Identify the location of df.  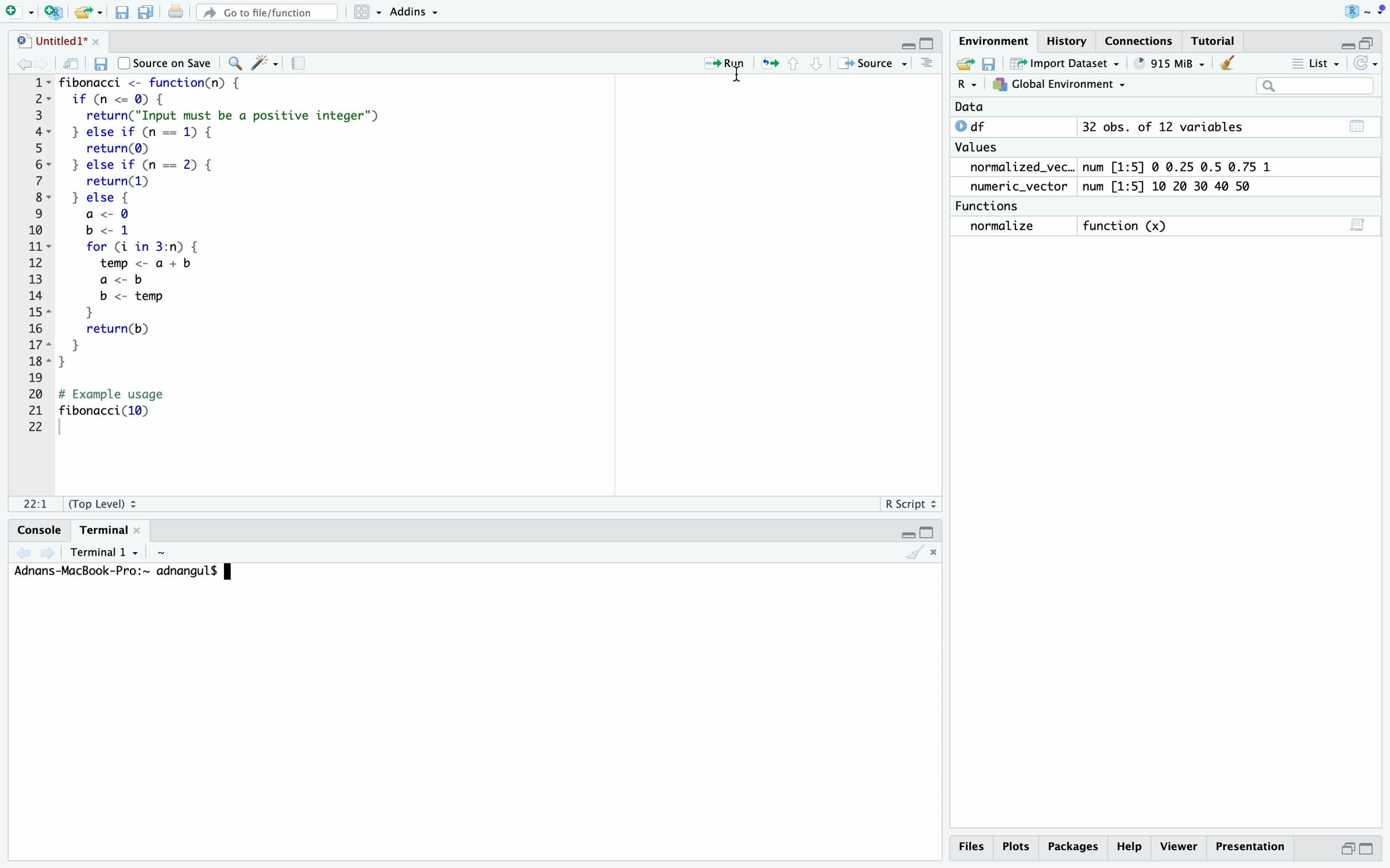
(979, 126).